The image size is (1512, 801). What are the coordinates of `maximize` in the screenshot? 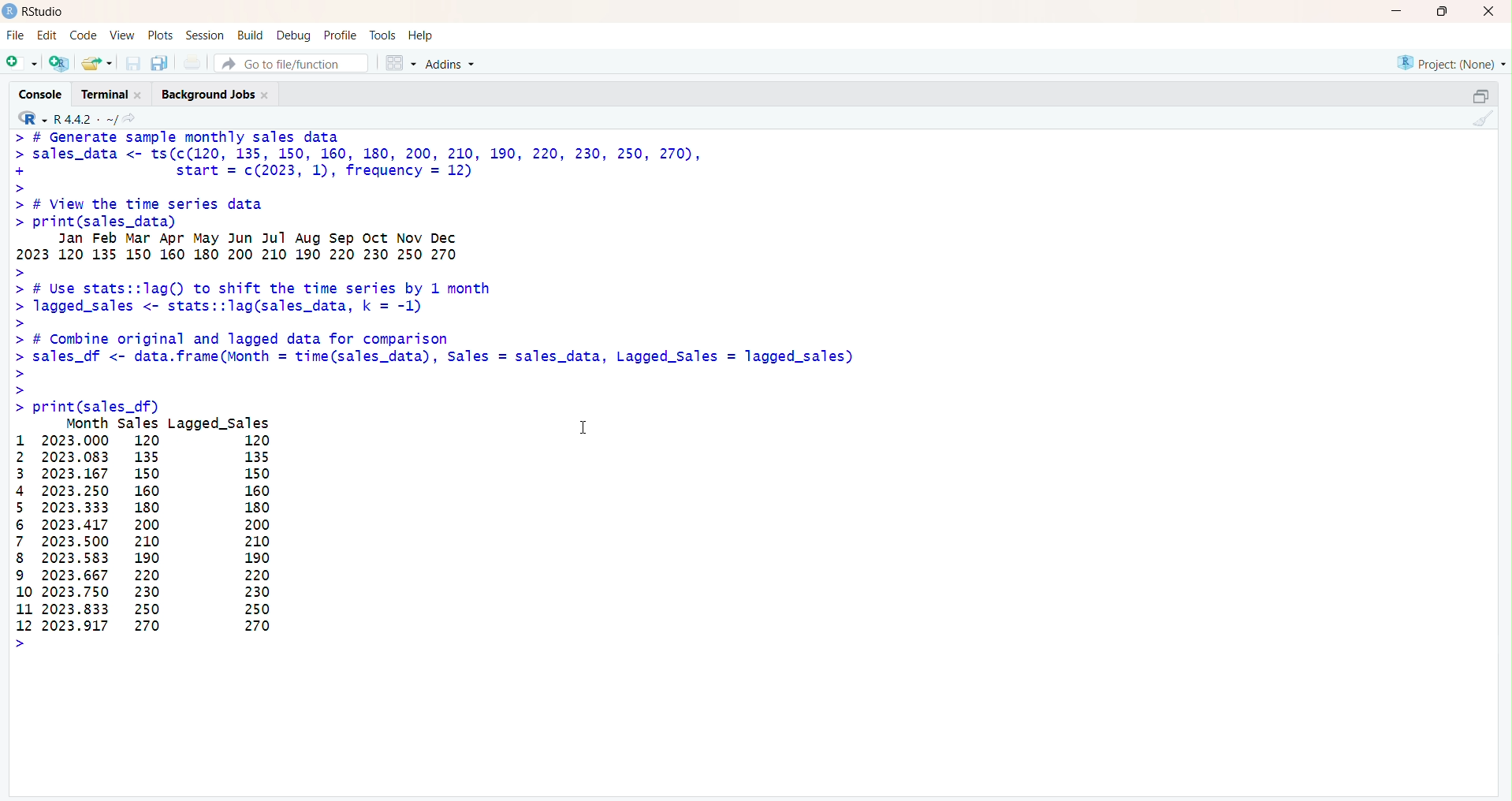 It's located at (1441, 11).